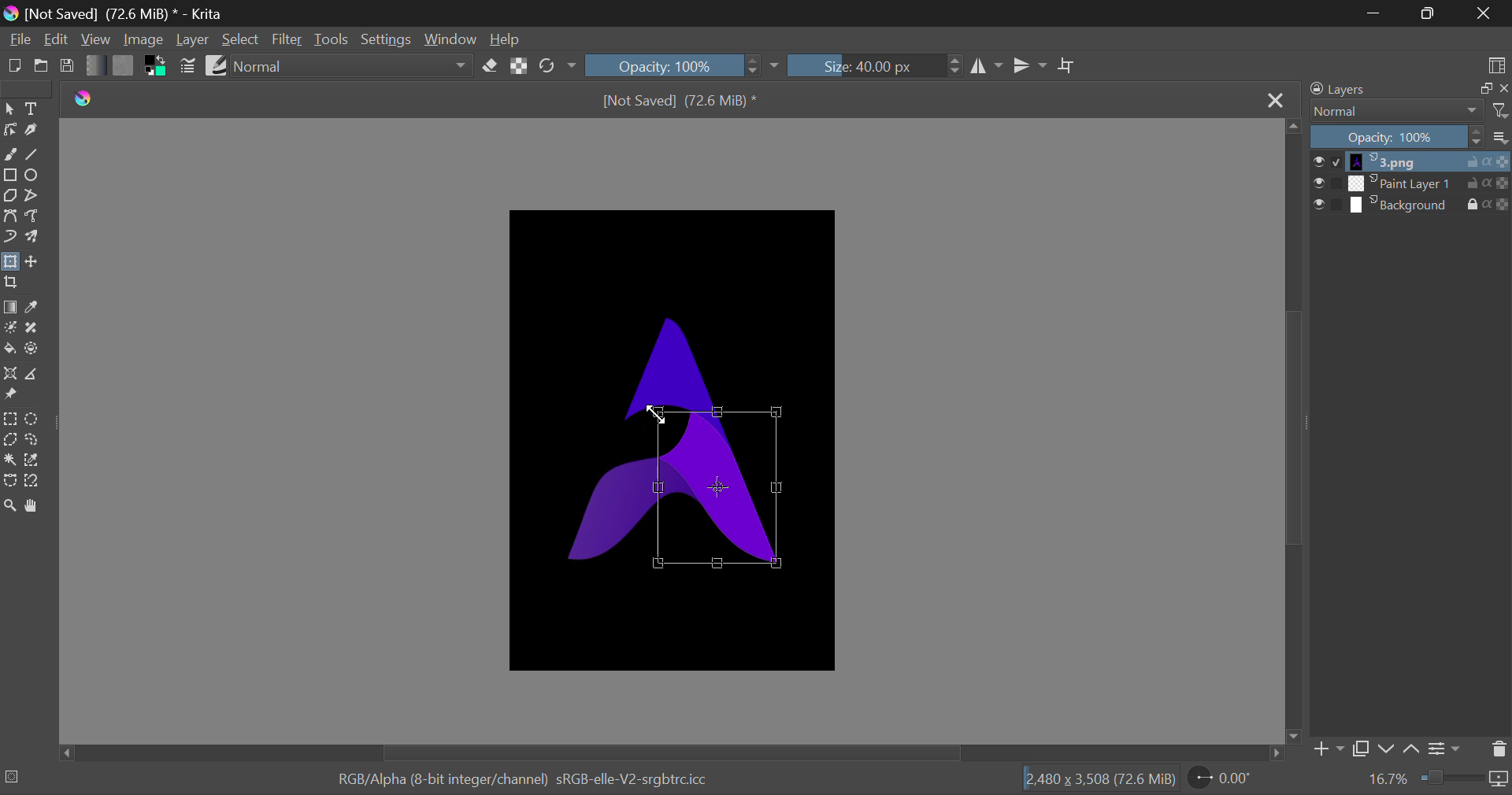 The height and width of the screenshot is (795, 1512). I want to click on Gradient, so click(94, 66).